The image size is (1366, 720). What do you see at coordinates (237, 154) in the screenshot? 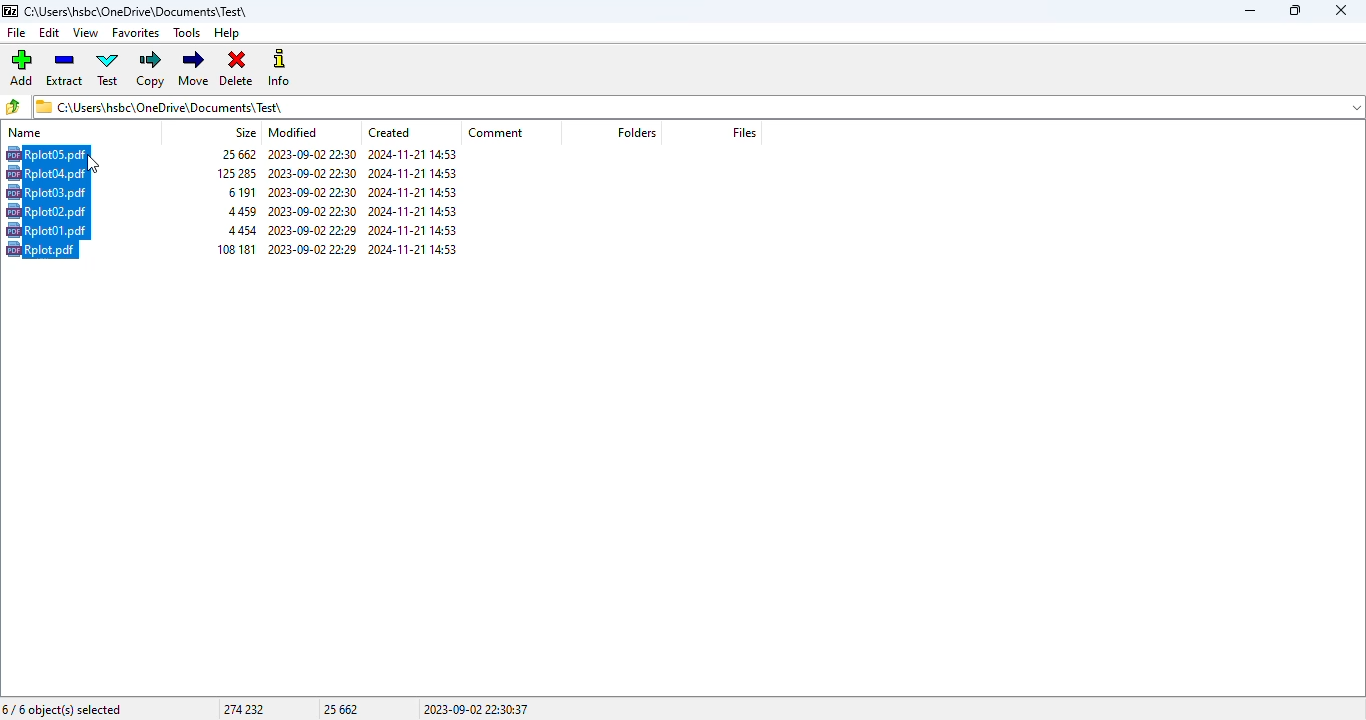
I see `size` at bounding box center [237, 154].